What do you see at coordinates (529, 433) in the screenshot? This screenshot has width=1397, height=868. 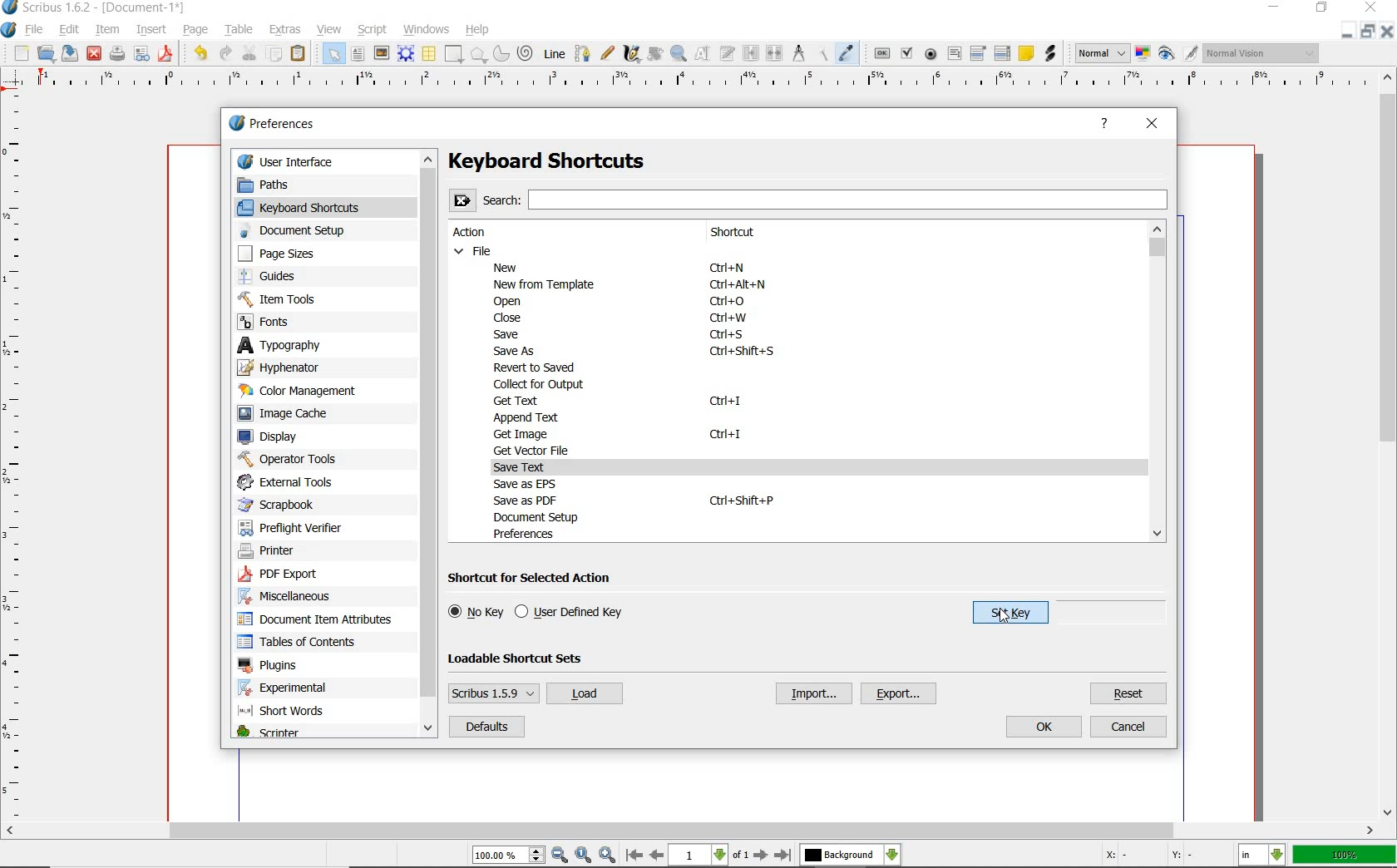 I see `Get image` at bounding box center [529, 433].